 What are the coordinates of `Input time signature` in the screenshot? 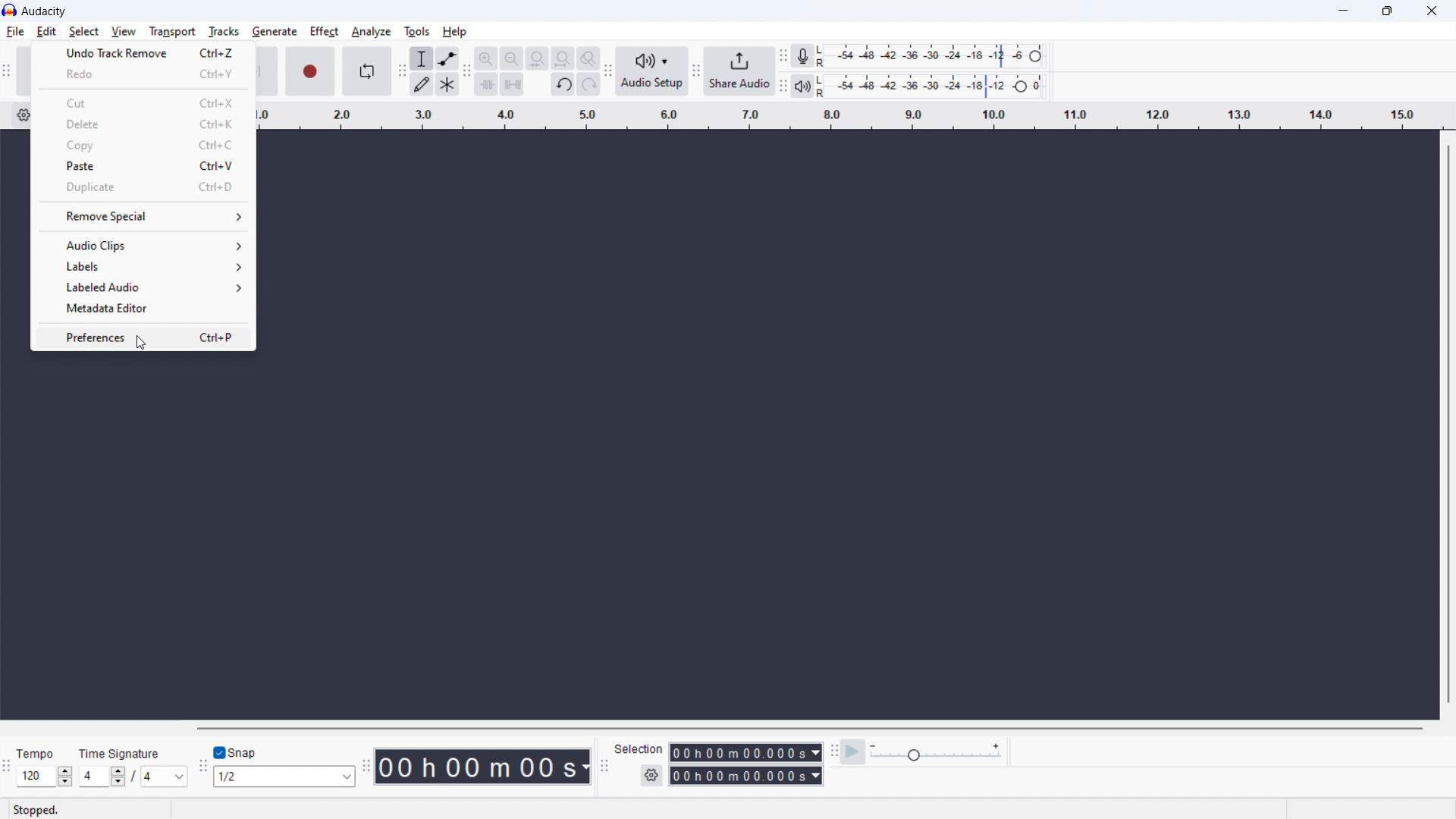 It's located at (93, 777).